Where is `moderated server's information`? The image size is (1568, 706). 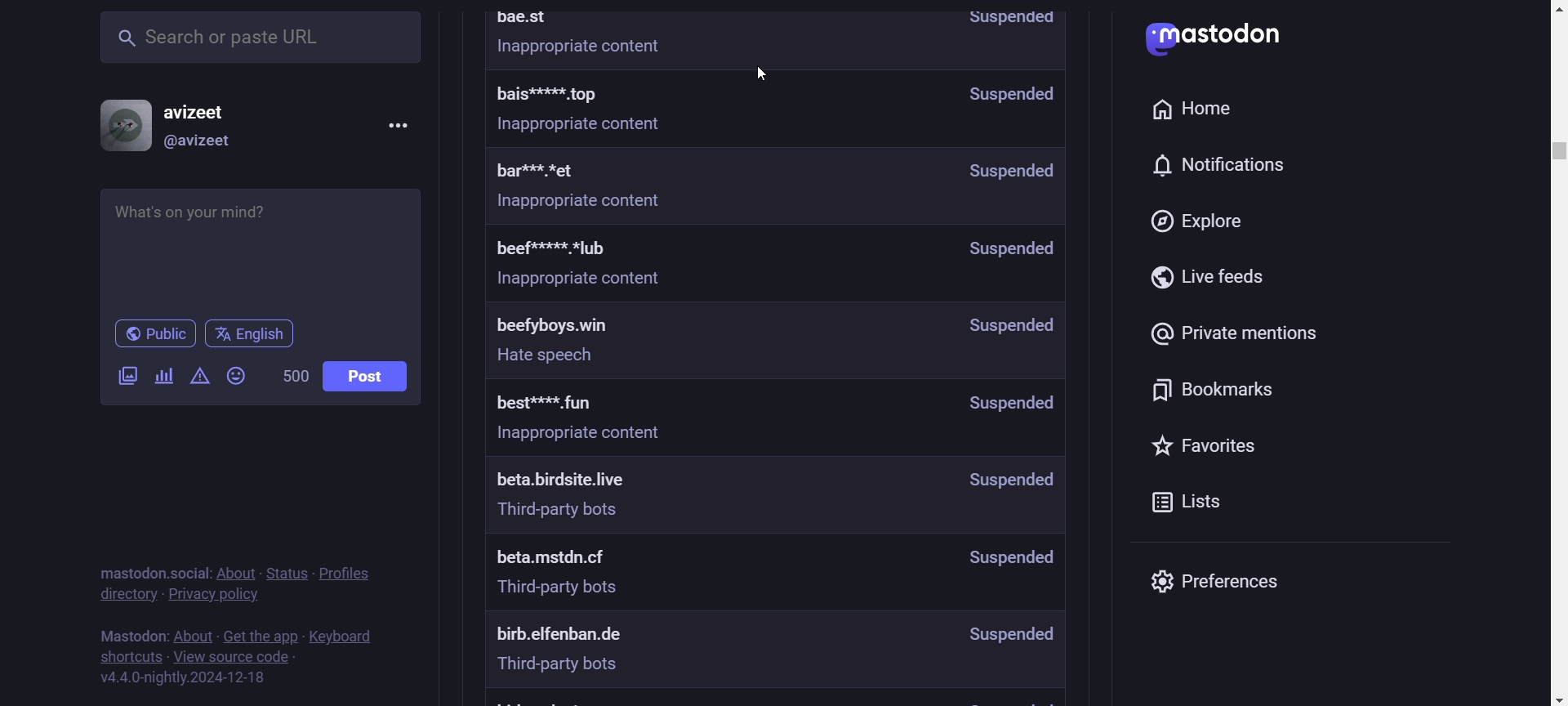 moderated server's information is located at coordinates (776, 577).